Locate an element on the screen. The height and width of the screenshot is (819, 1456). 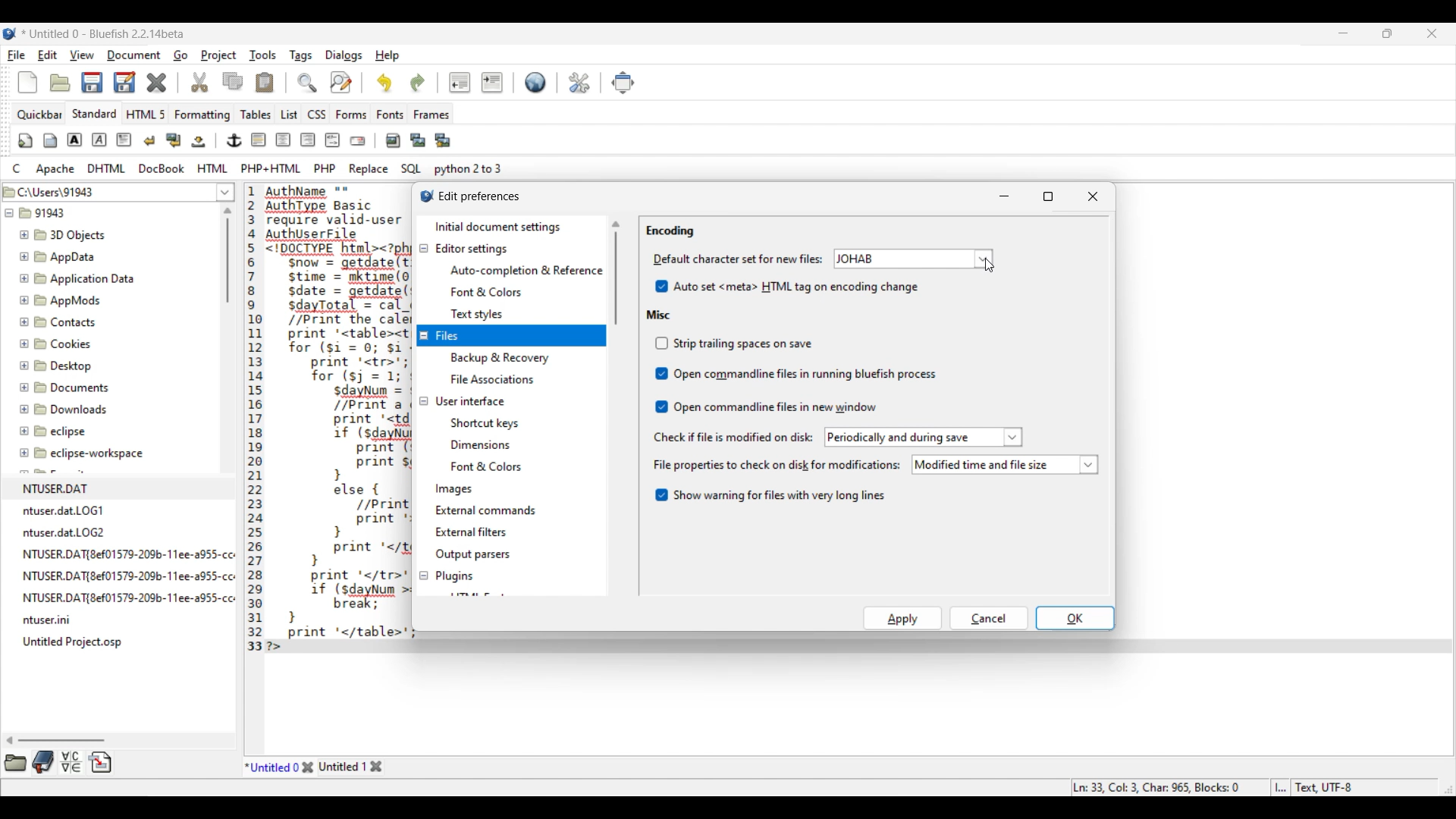
Dialogs menu is located at coordinates (344, 56).